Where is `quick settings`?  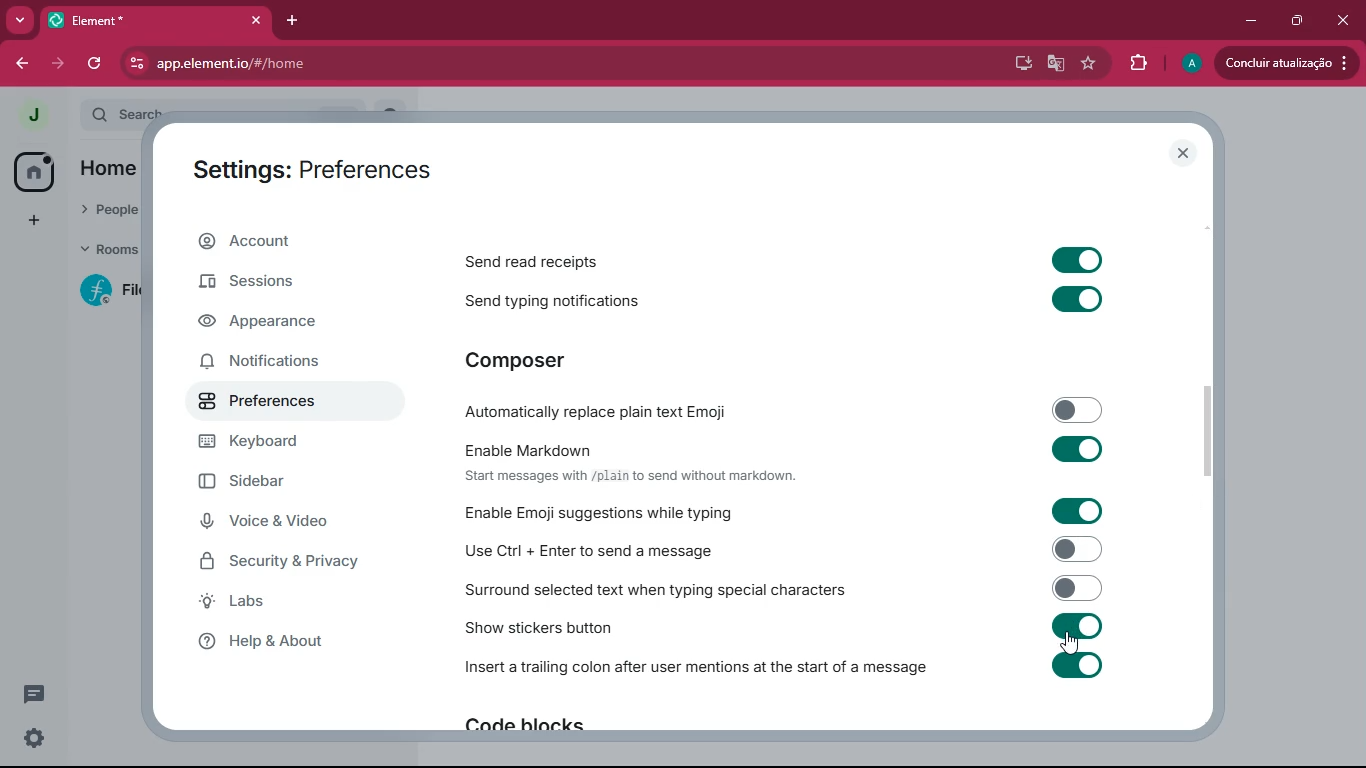 quick settings is located at coordinates (32, 735).